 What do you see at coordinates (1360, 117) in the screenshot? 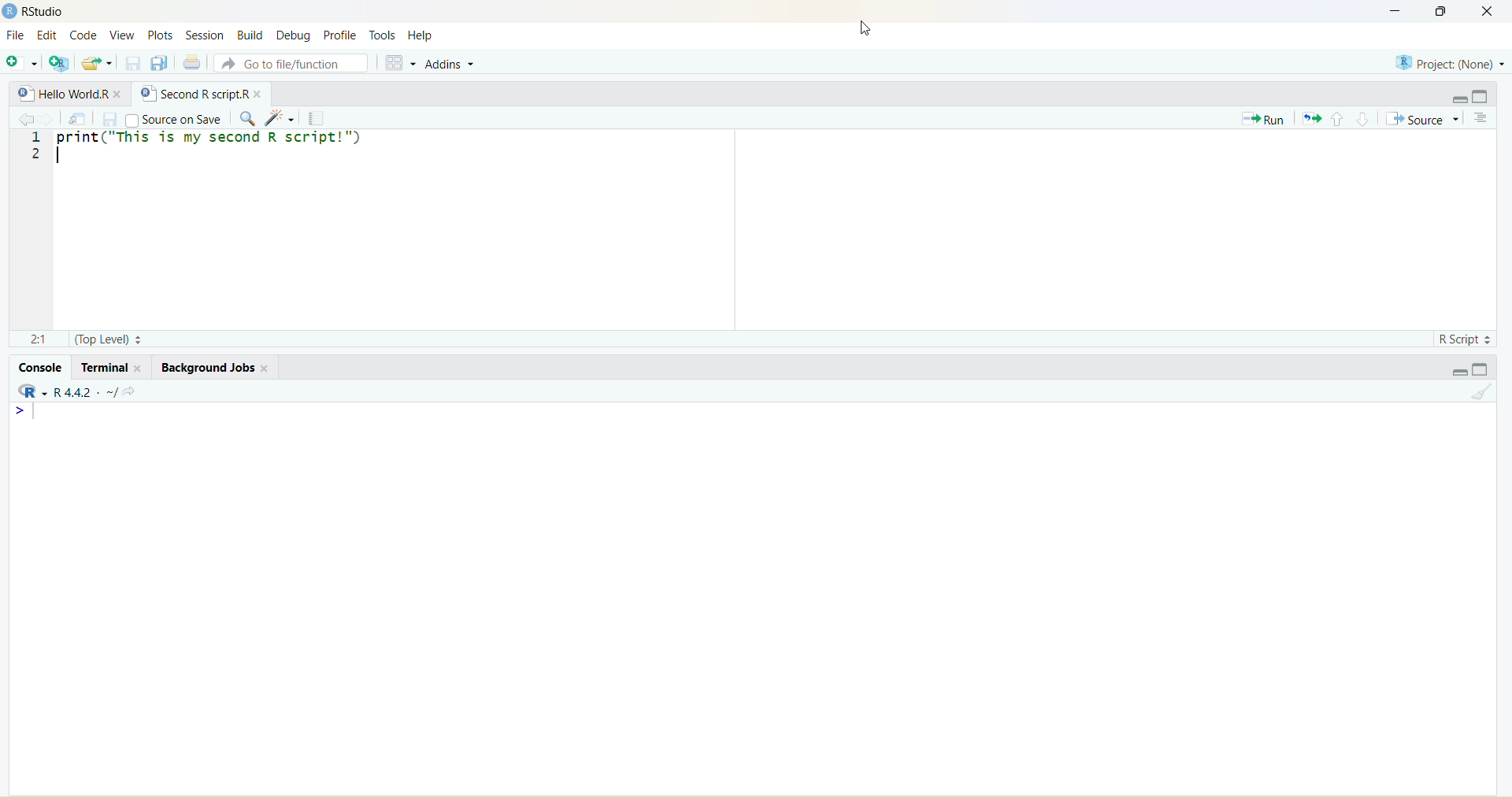
I see `Go to next section/chunk (Ctrl + pgDn)` at bounding box center [1360, 117].